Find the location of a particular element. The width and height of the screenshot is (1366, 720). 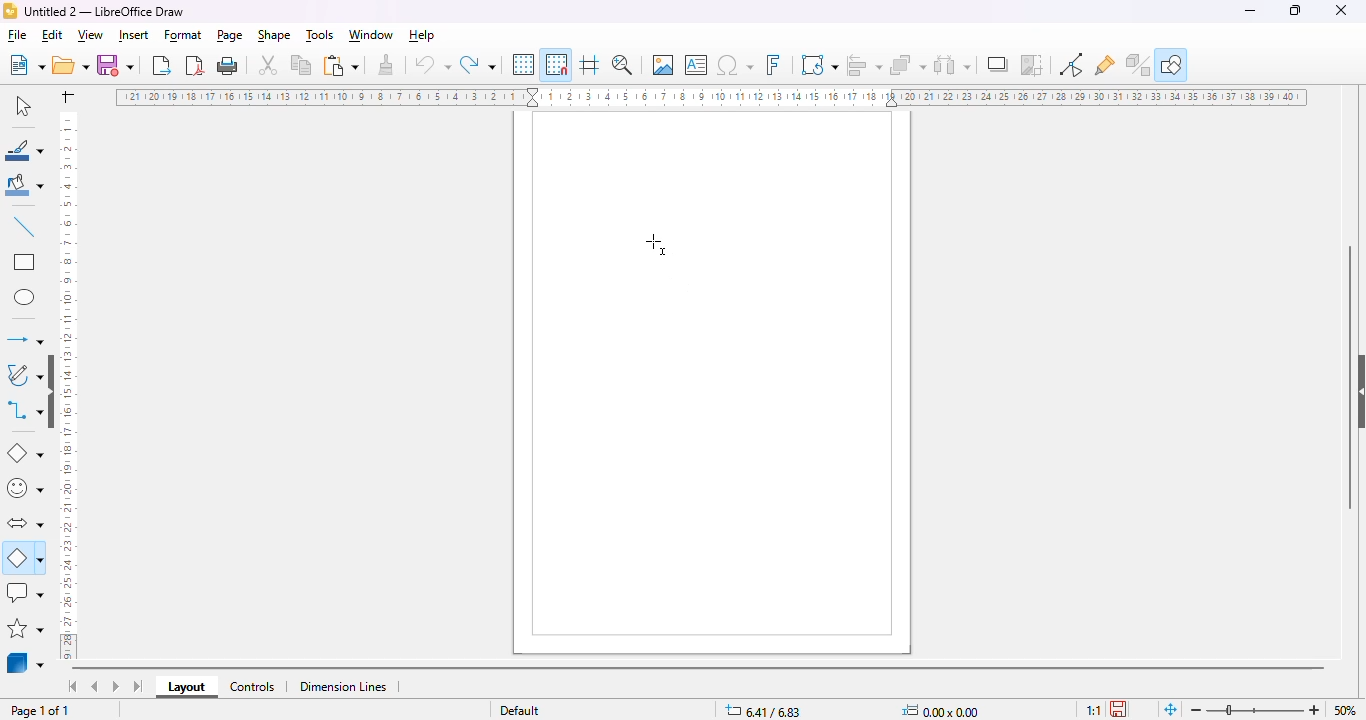

fill color is located at coordinates (24, 186).